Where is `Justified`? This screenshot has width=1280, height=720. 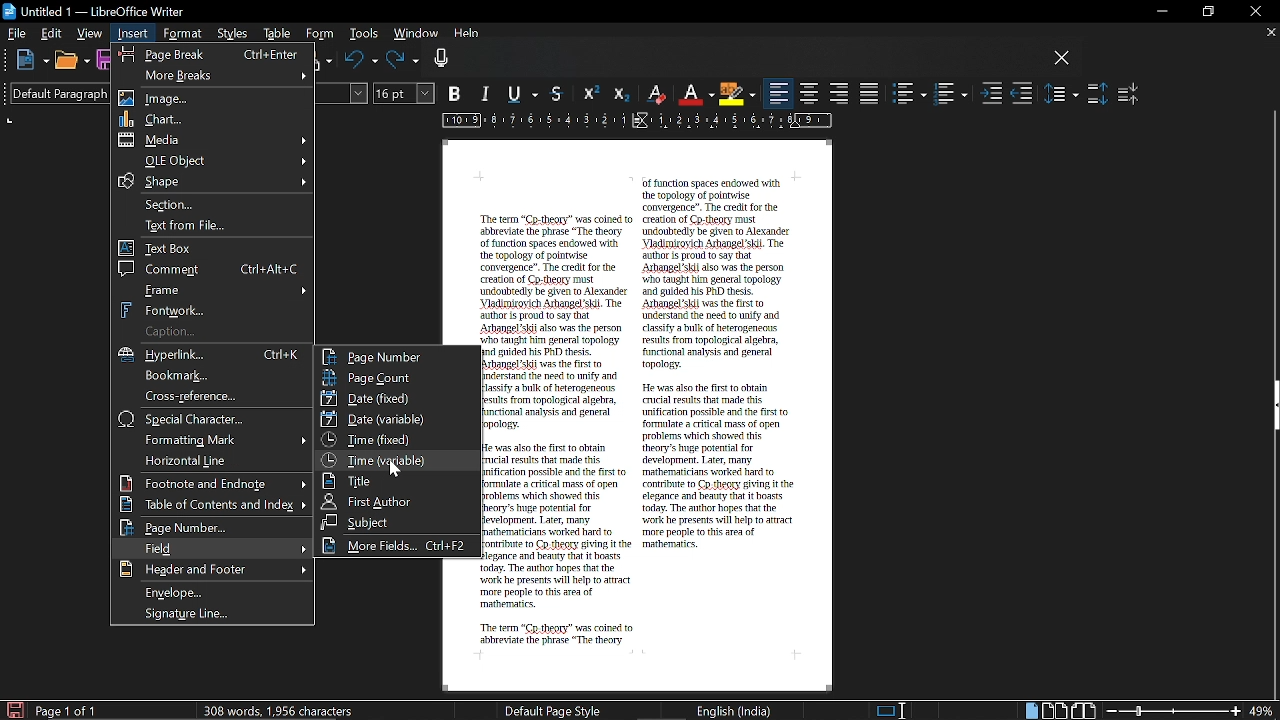 Justified is located at coordinates (870, 93).